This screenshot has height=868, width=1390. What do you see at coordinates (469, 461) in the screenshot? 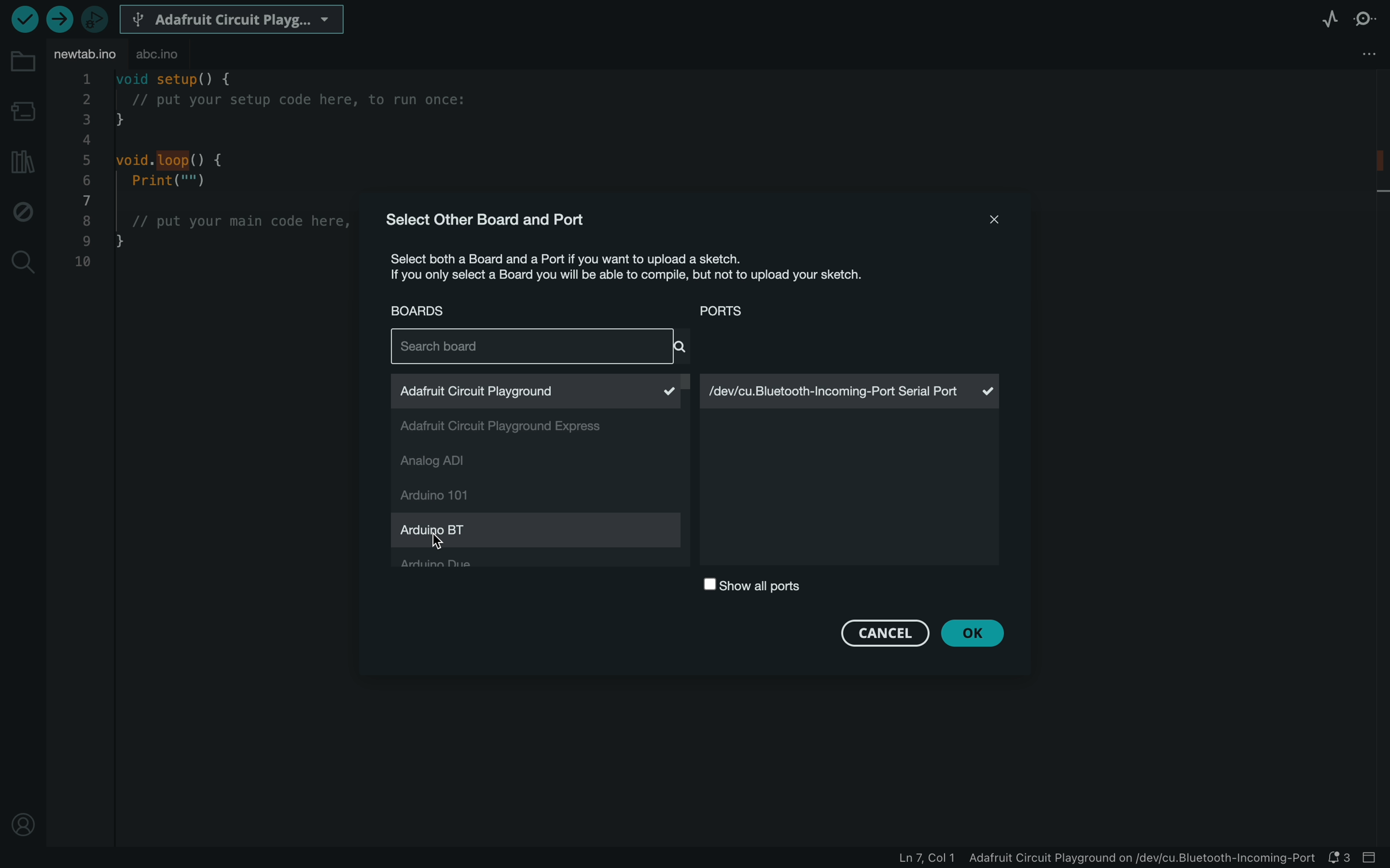
I see `analog adi` at bounding box center [469, 461].